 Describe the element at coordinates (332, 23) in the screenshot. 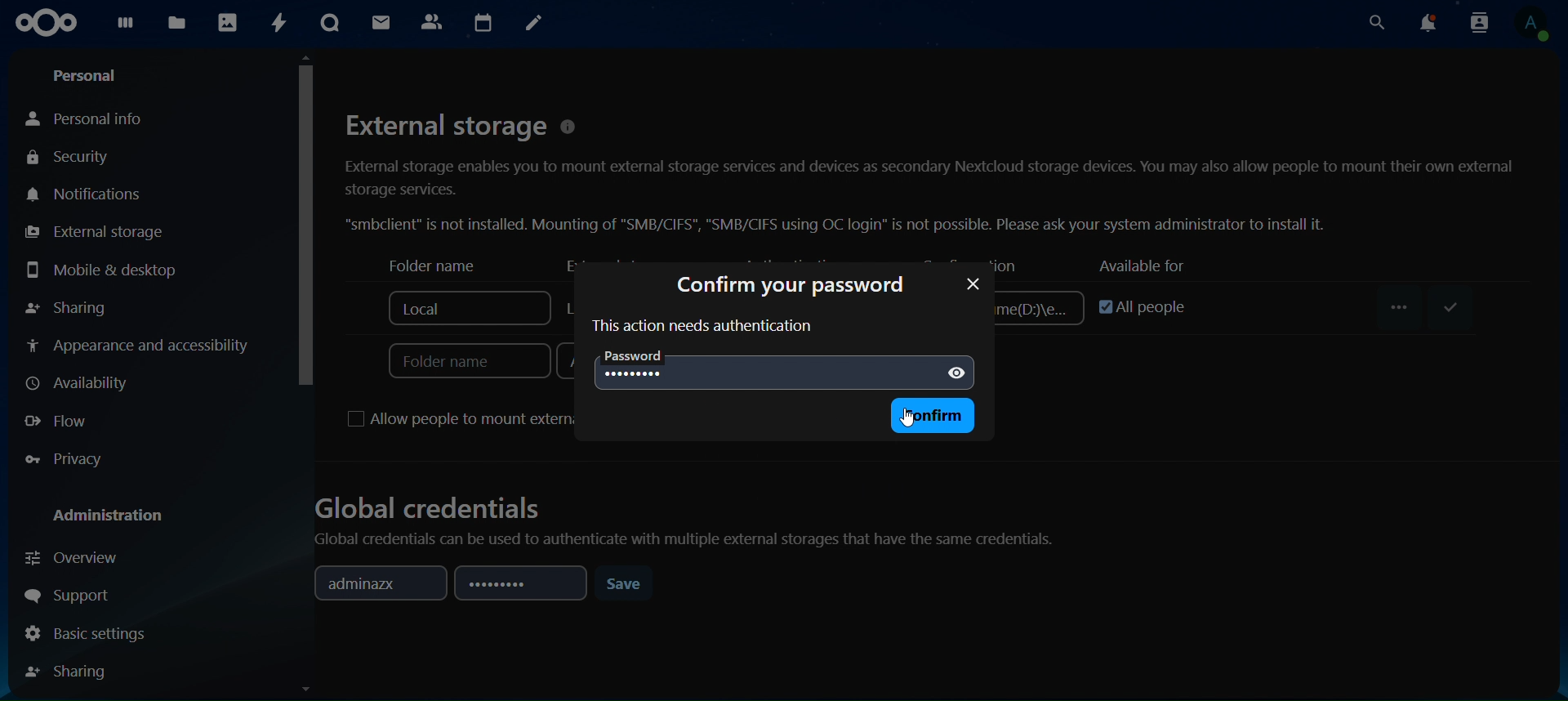

I see `talk` at that location.